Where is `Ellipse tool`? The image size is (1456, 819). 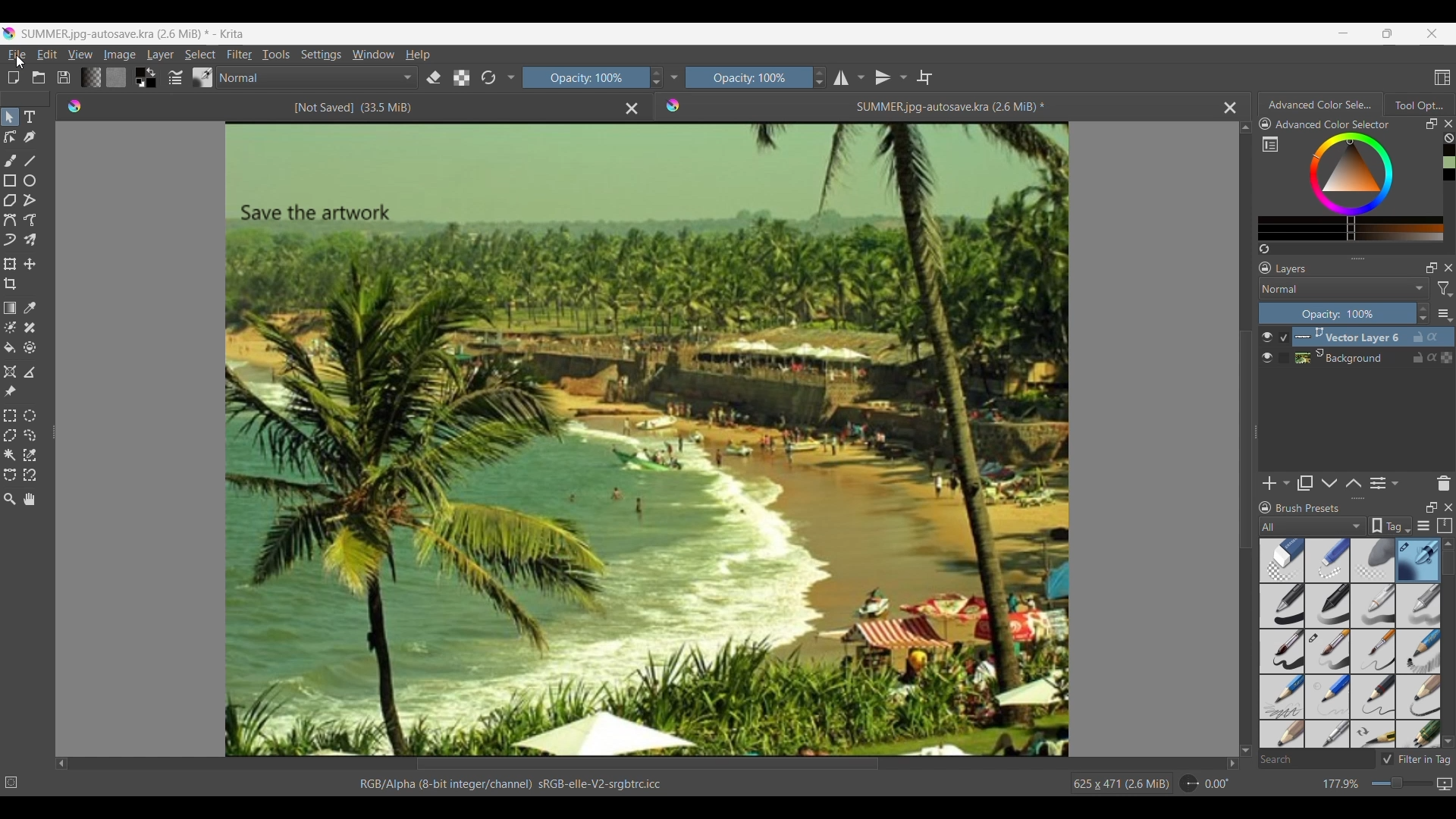 Ellipse tool is located at coordinates (30, 180).